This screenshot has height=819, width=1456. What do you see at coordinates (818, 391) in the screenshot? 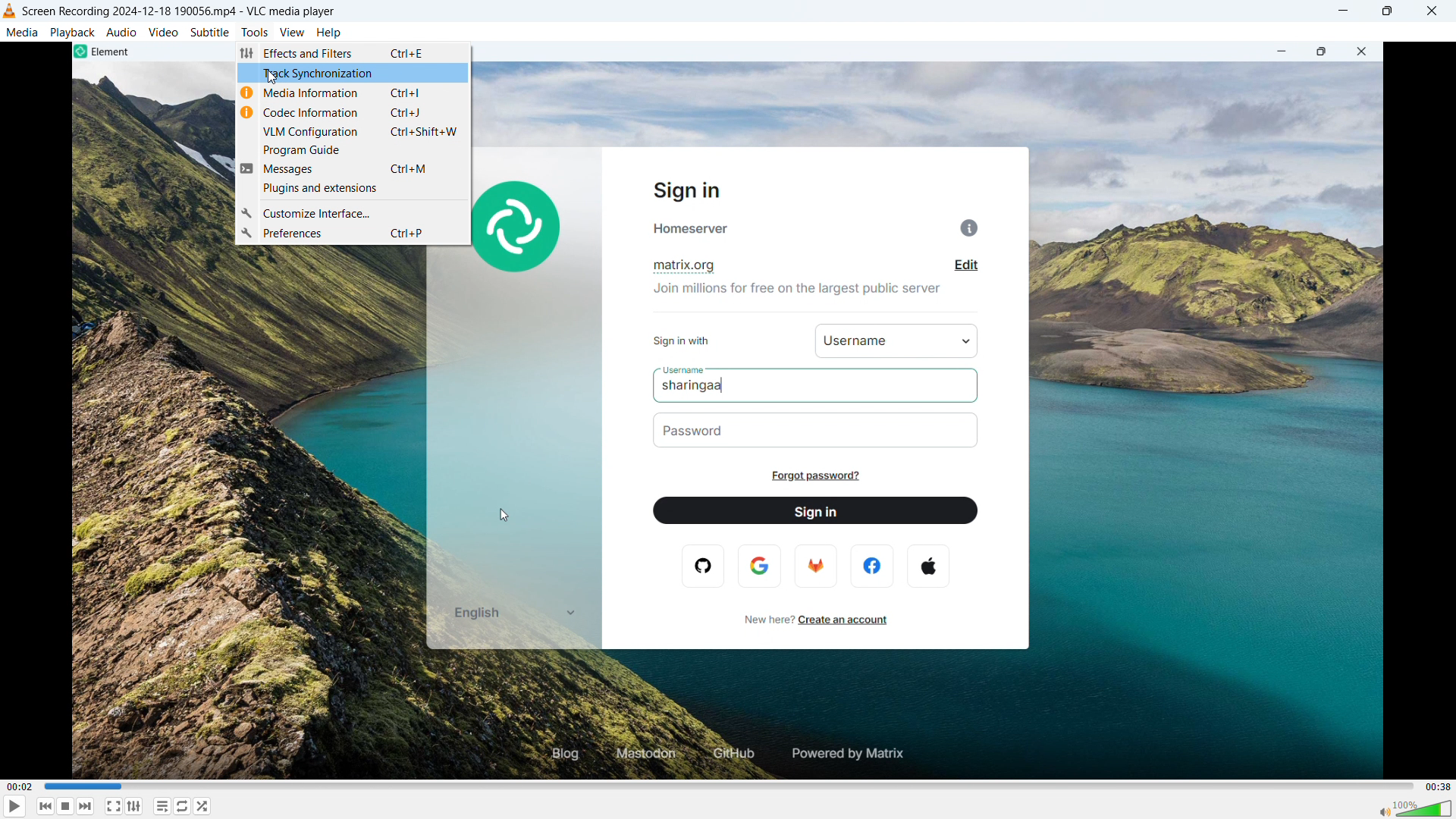
I see `sharingaa` at bounding box center [818, 391].